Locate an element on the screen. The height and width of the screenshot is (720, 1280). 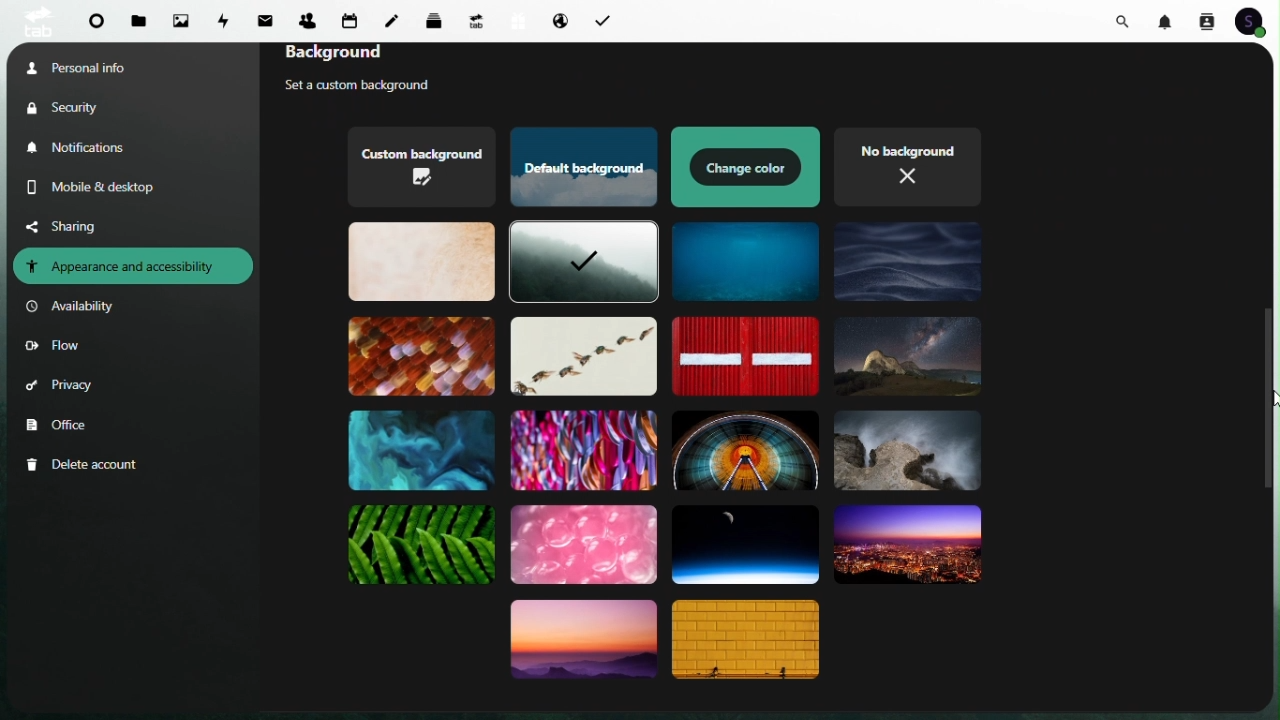
Vertical scrollbar is located at coordinates (1270, 401).